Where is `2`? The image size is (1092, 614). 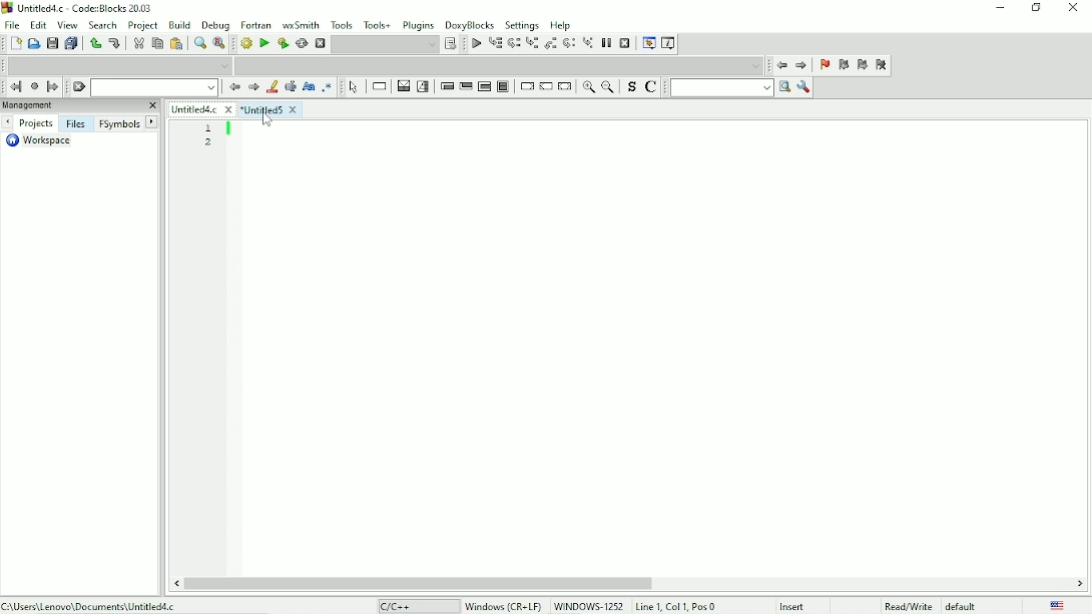
2 is located at coordinates (209, 144).